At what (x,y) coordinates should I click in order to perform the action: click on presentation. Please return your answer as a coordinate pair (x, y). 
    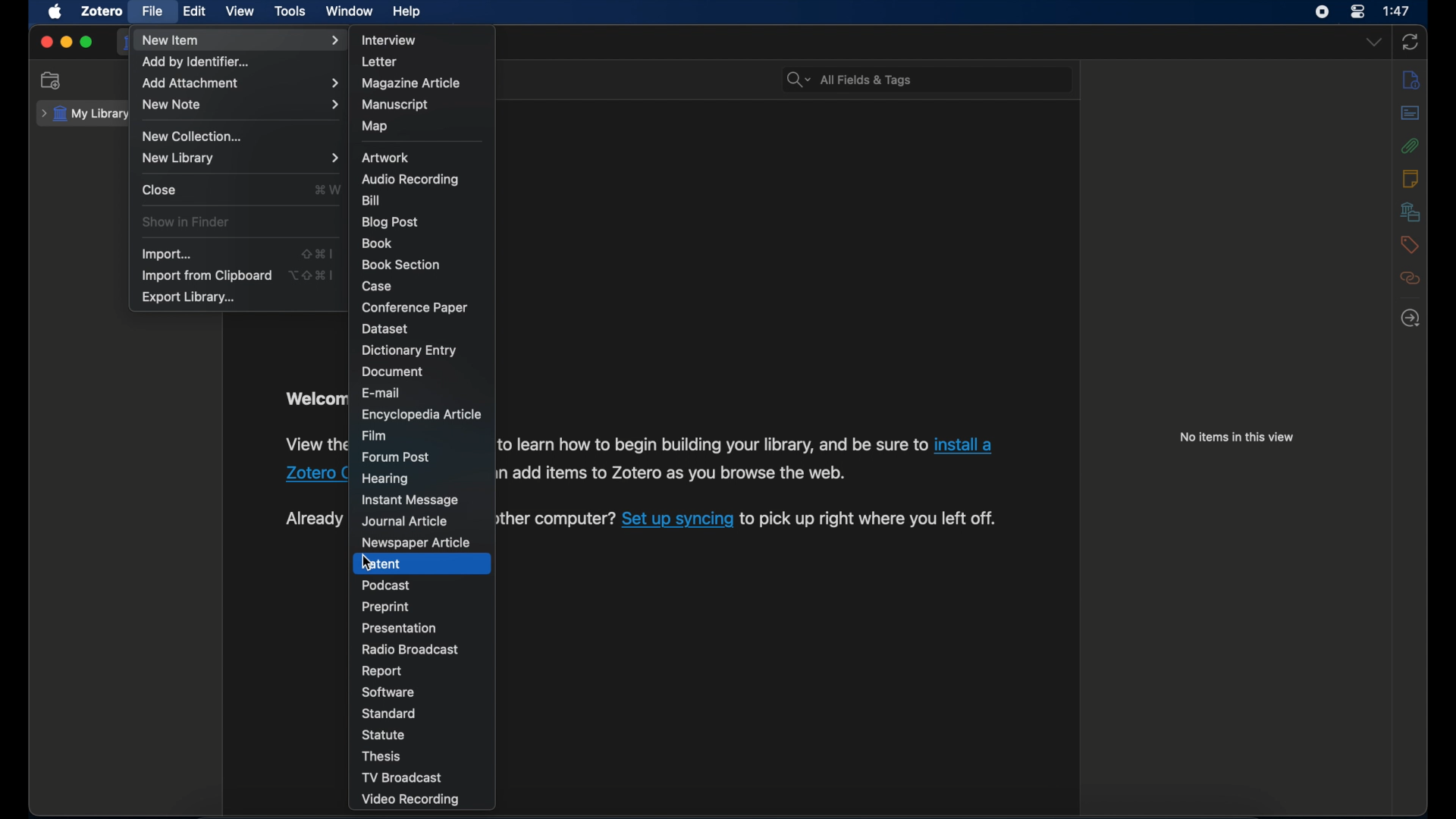
    Looking at the image, I should click on (400, 627).